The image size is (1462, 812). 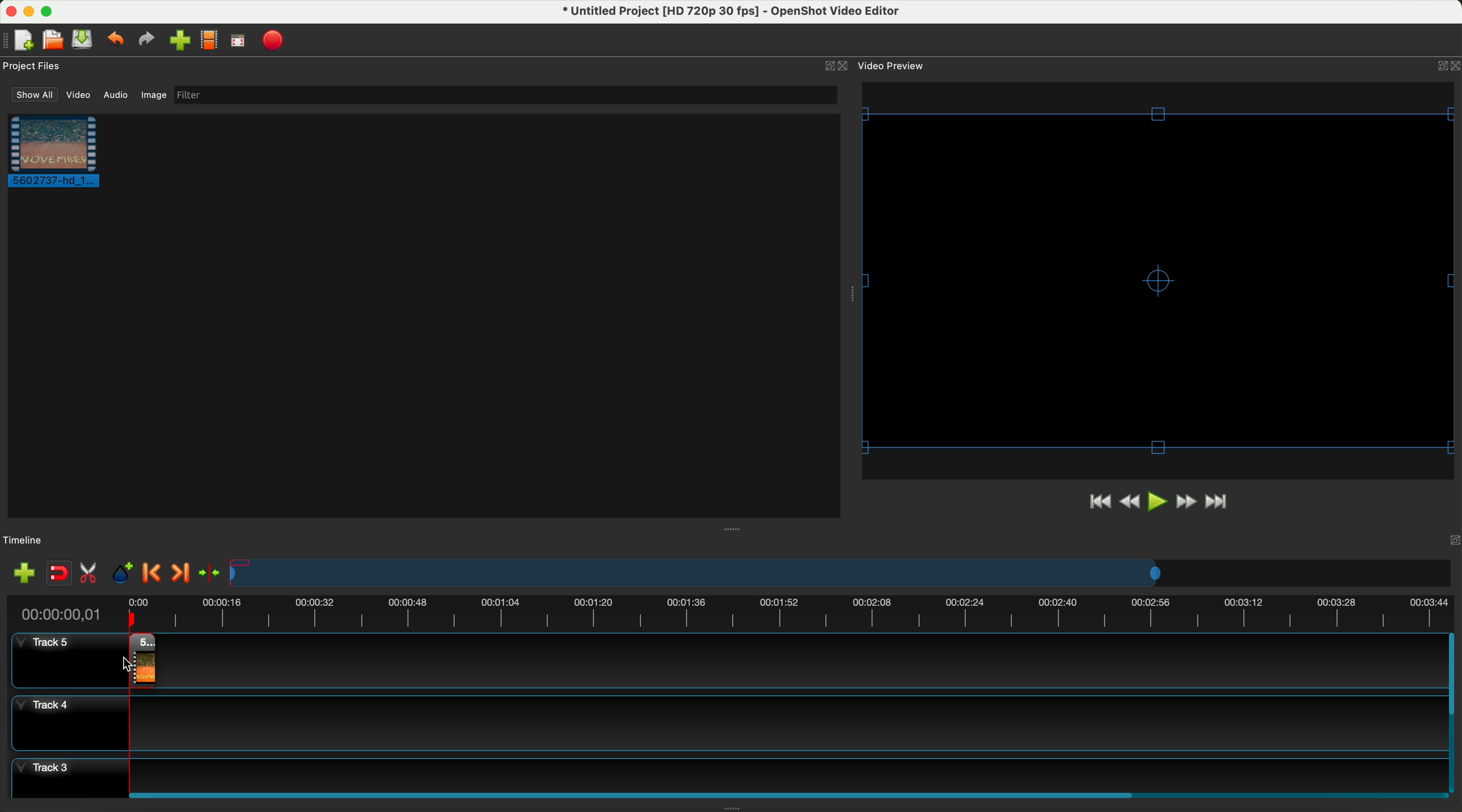 What do you see at coordinates (505, 95) in the screenshot?
I see `filter` at bounding box center [505, 95].